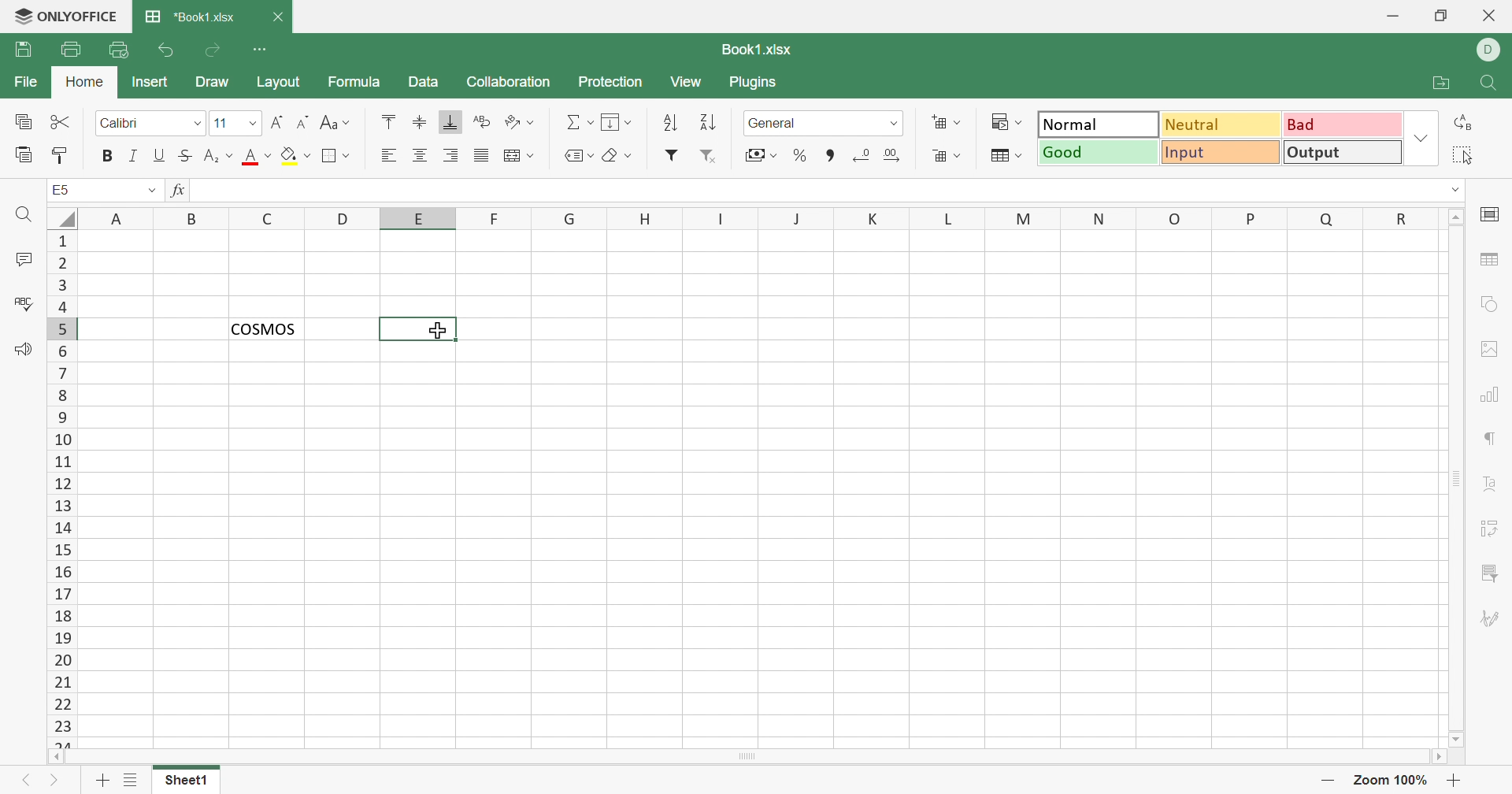  I want to click on Row Number, so click(61, 489).